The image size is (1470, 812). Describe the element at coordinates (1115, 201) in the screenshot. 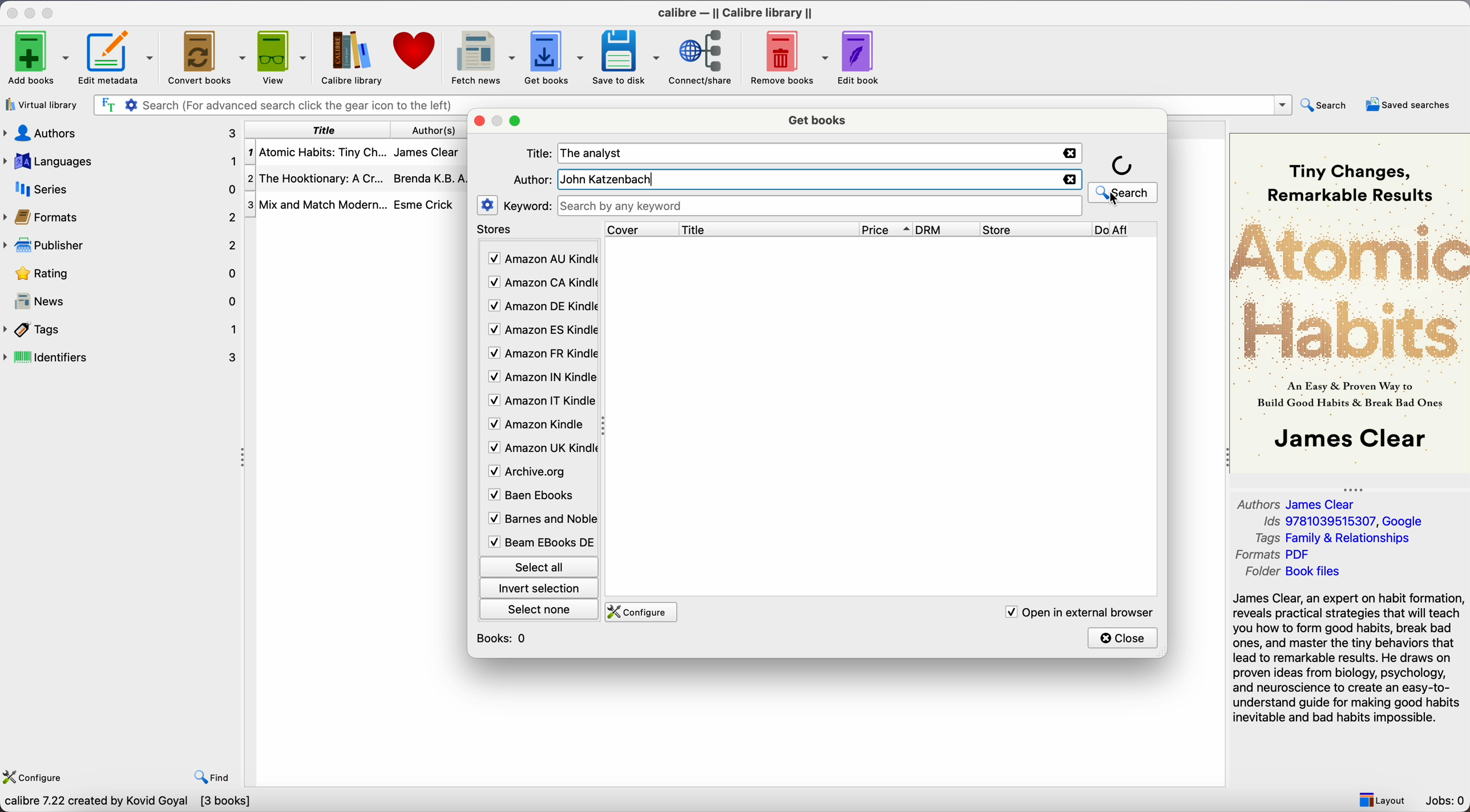

I see `cursor` at that location.